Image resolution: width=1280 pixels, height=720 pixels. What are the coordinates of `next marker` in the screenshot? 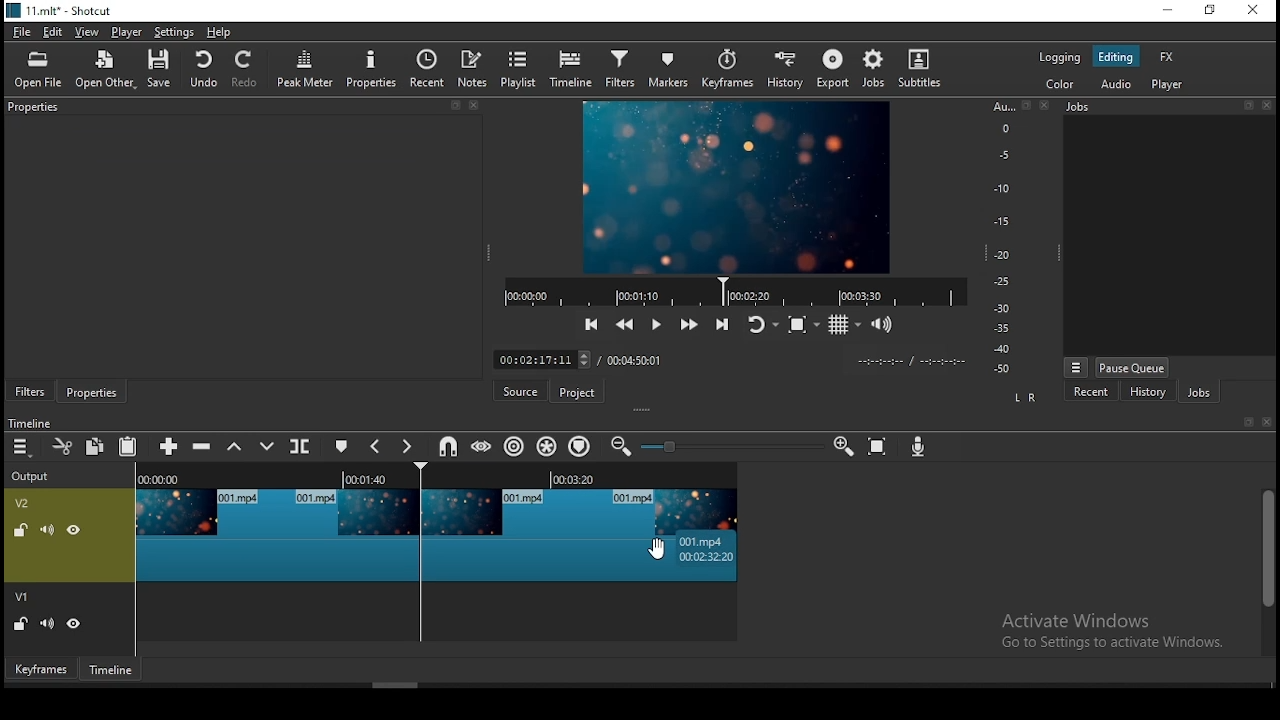 It's located at (407, 448).